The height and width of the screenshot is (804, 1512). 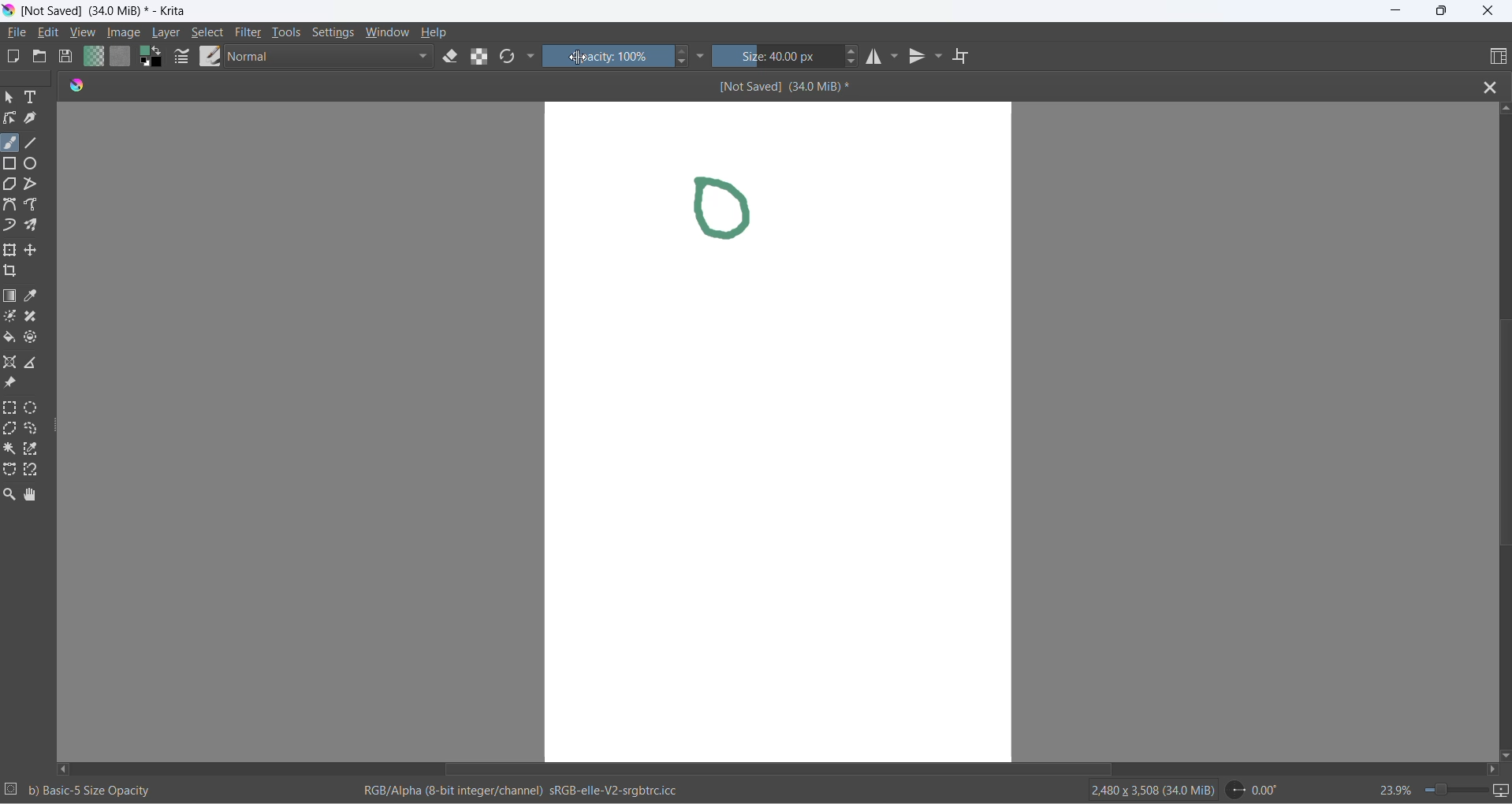 I want to click on slideshow, so click(x=1502, y=792).